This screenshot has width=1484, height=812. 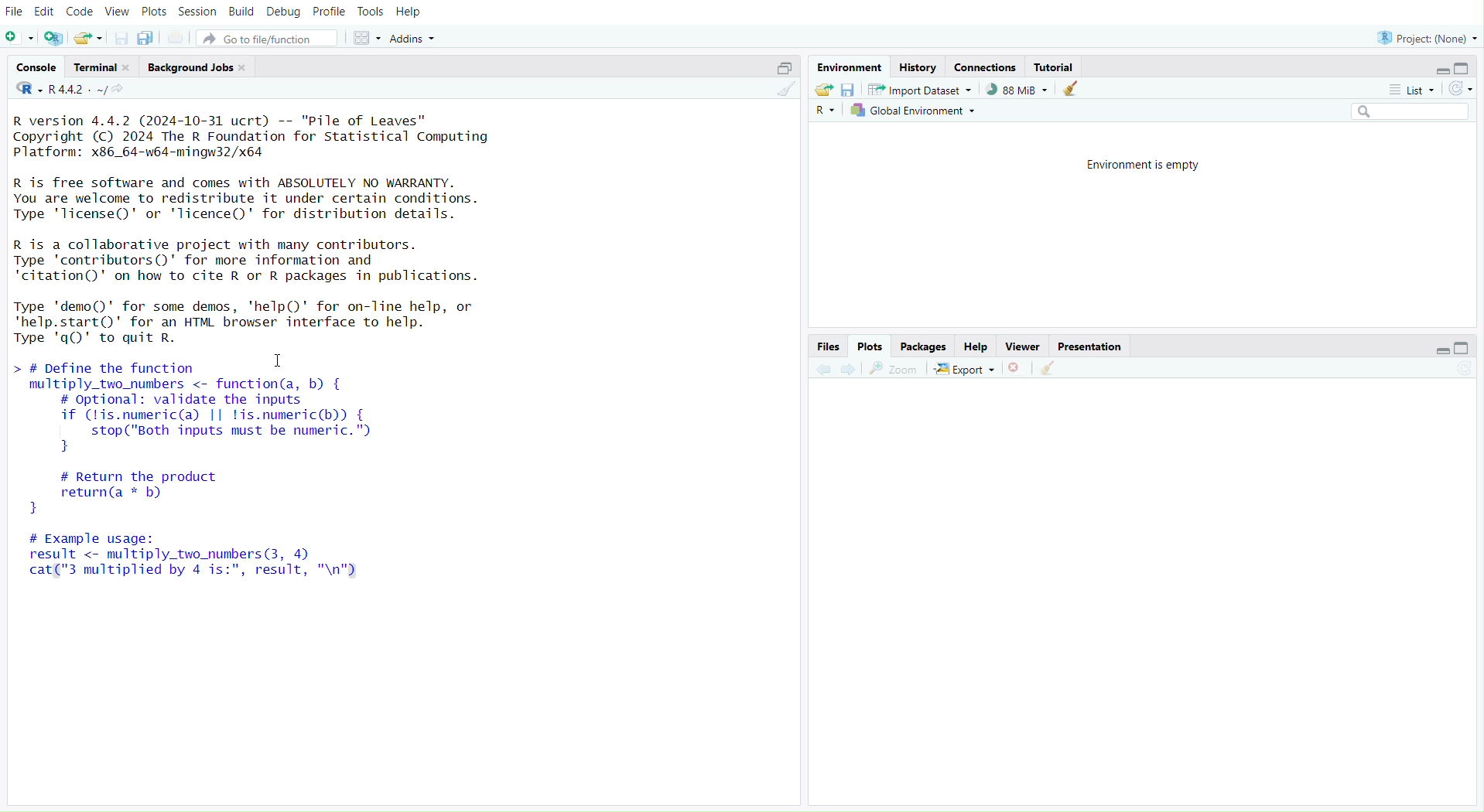 I want to click on Terminal, so click(x=102, y=67).